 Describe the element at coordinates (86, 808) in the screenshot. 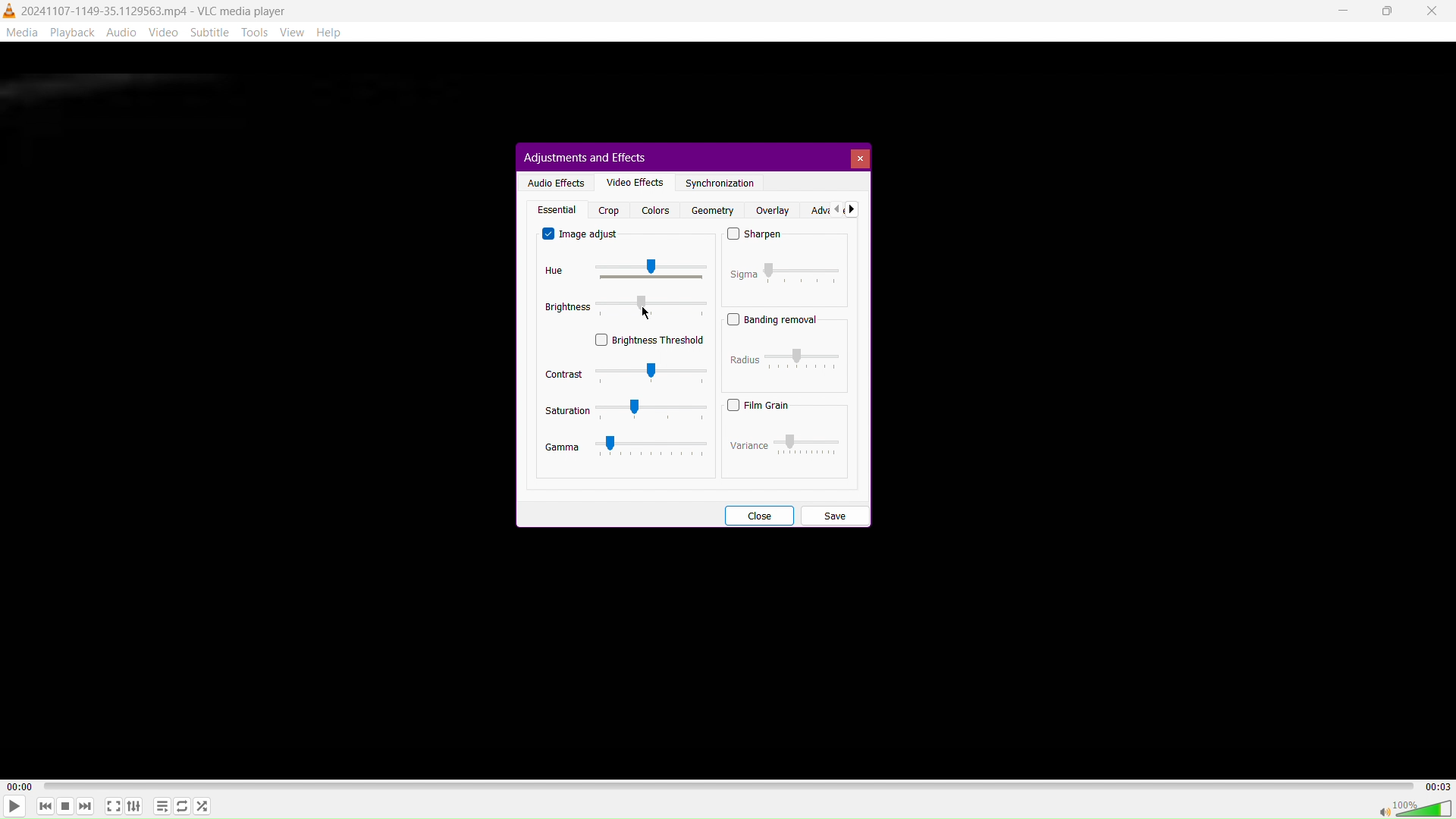

I see `Skip Forward` at that location.